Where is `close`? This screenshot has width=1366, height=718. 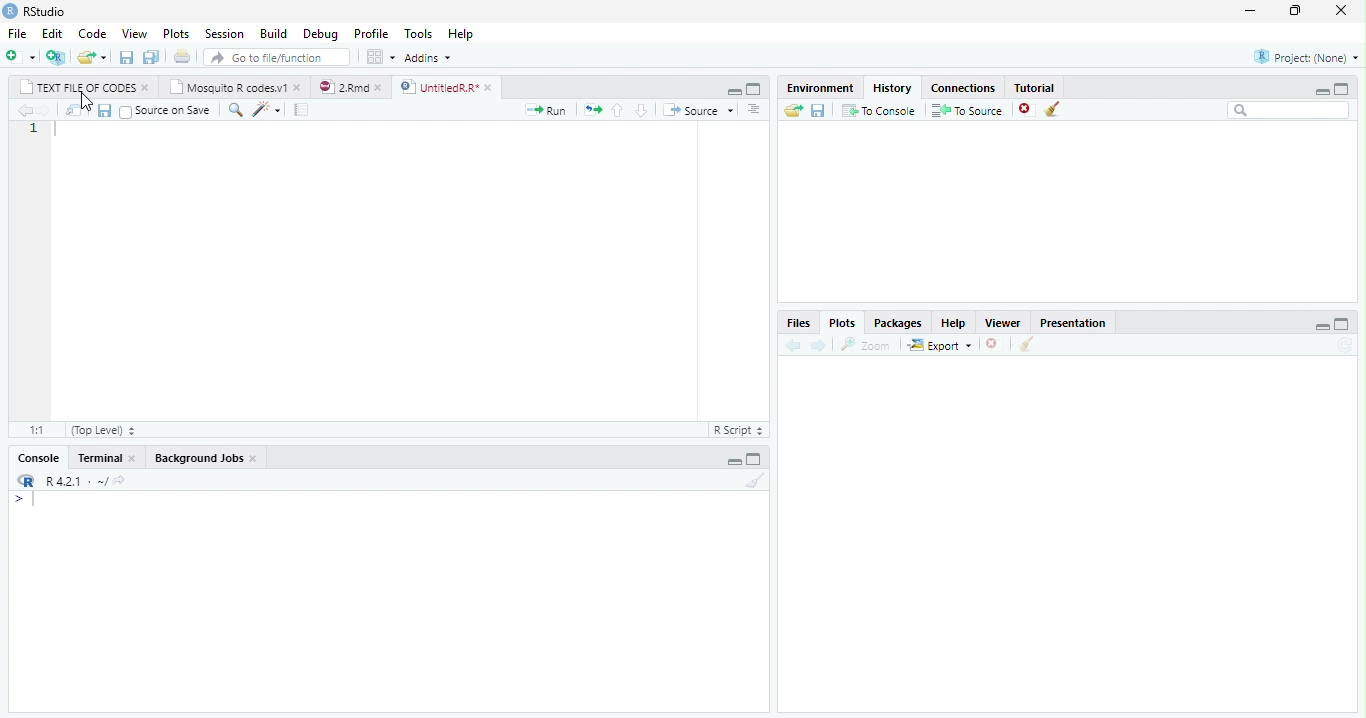 close is located at coordinates (146, 89).